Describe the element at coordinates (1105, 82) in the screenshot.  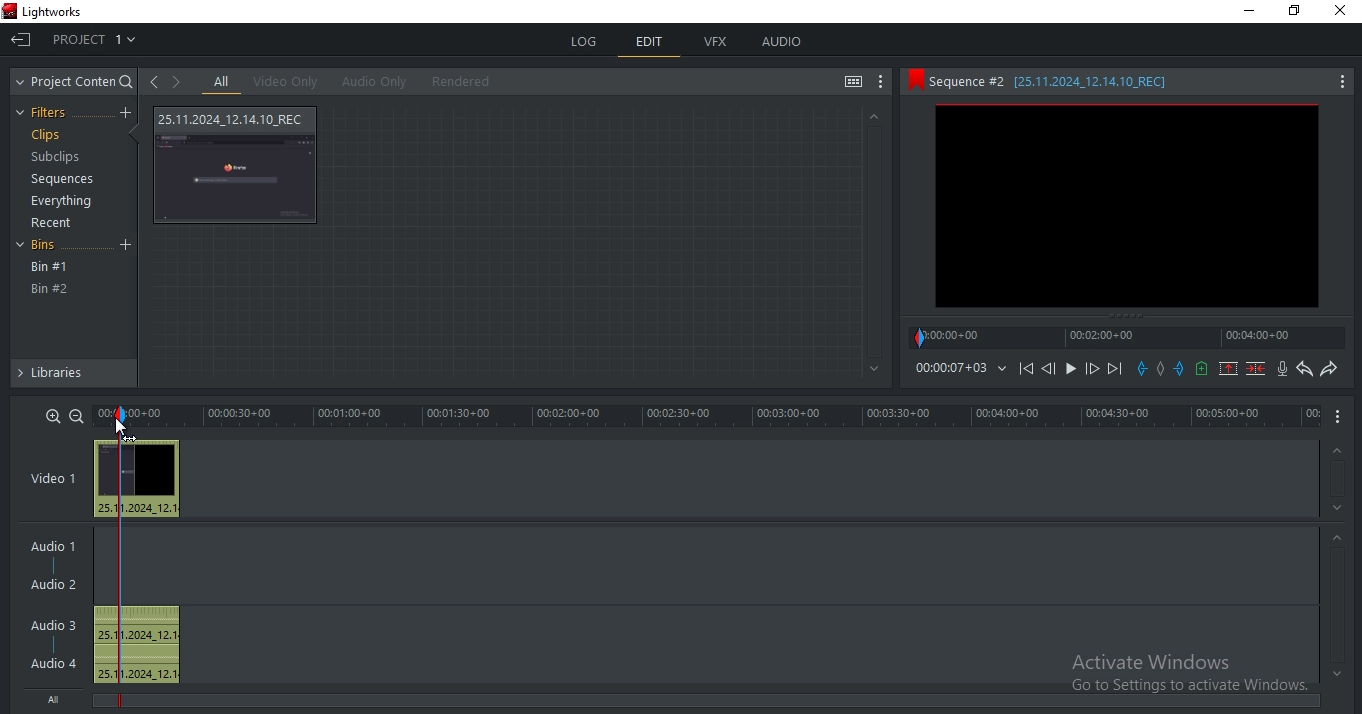
I see `sequence #2` at that location.